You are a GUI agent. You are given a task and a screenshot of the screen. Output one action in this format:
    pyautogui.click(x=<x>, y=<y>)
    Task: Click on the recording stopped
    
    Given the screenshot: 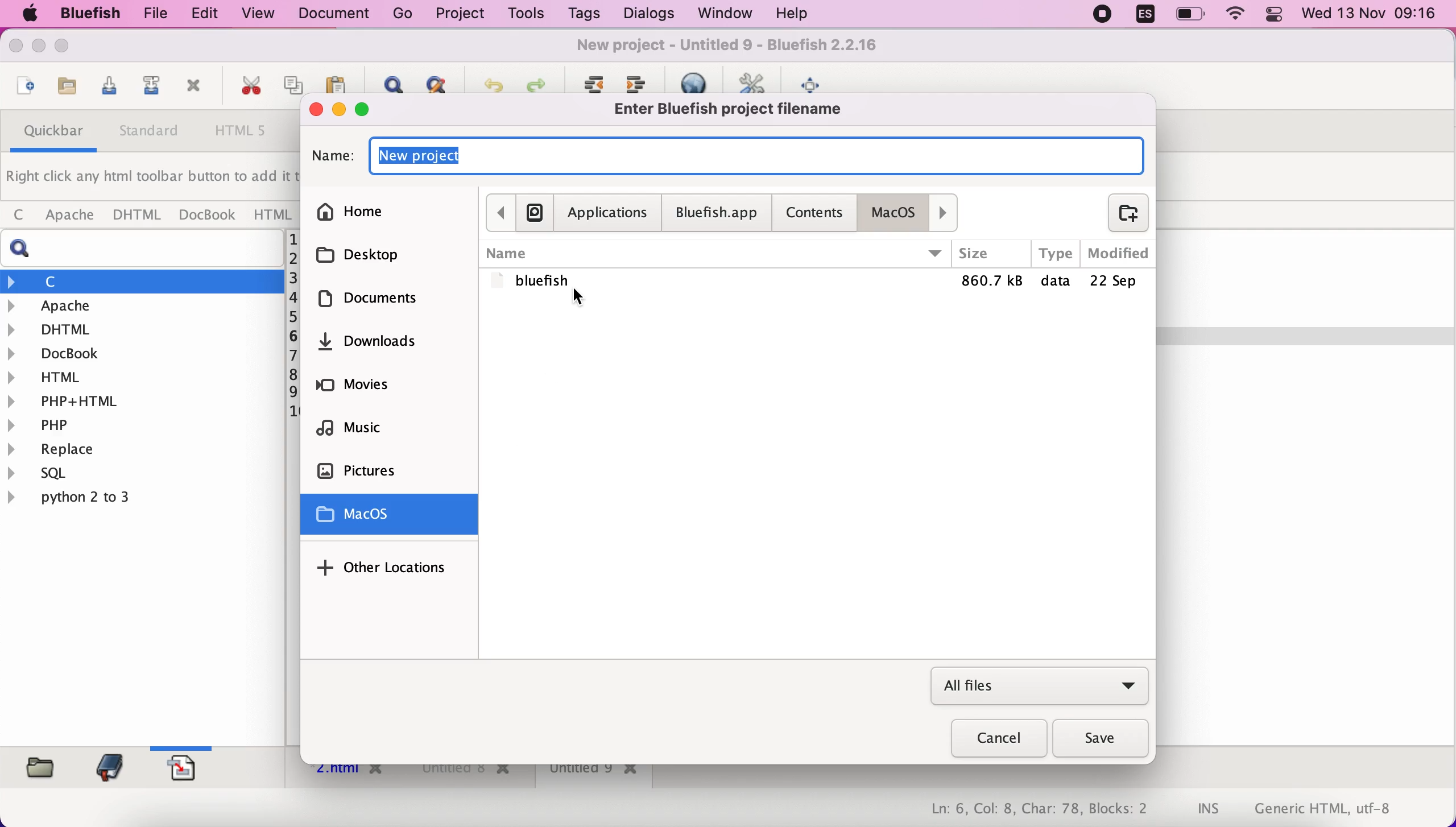 What is the action you would take?
    pyautogui.click(x=1099, y=15)
    